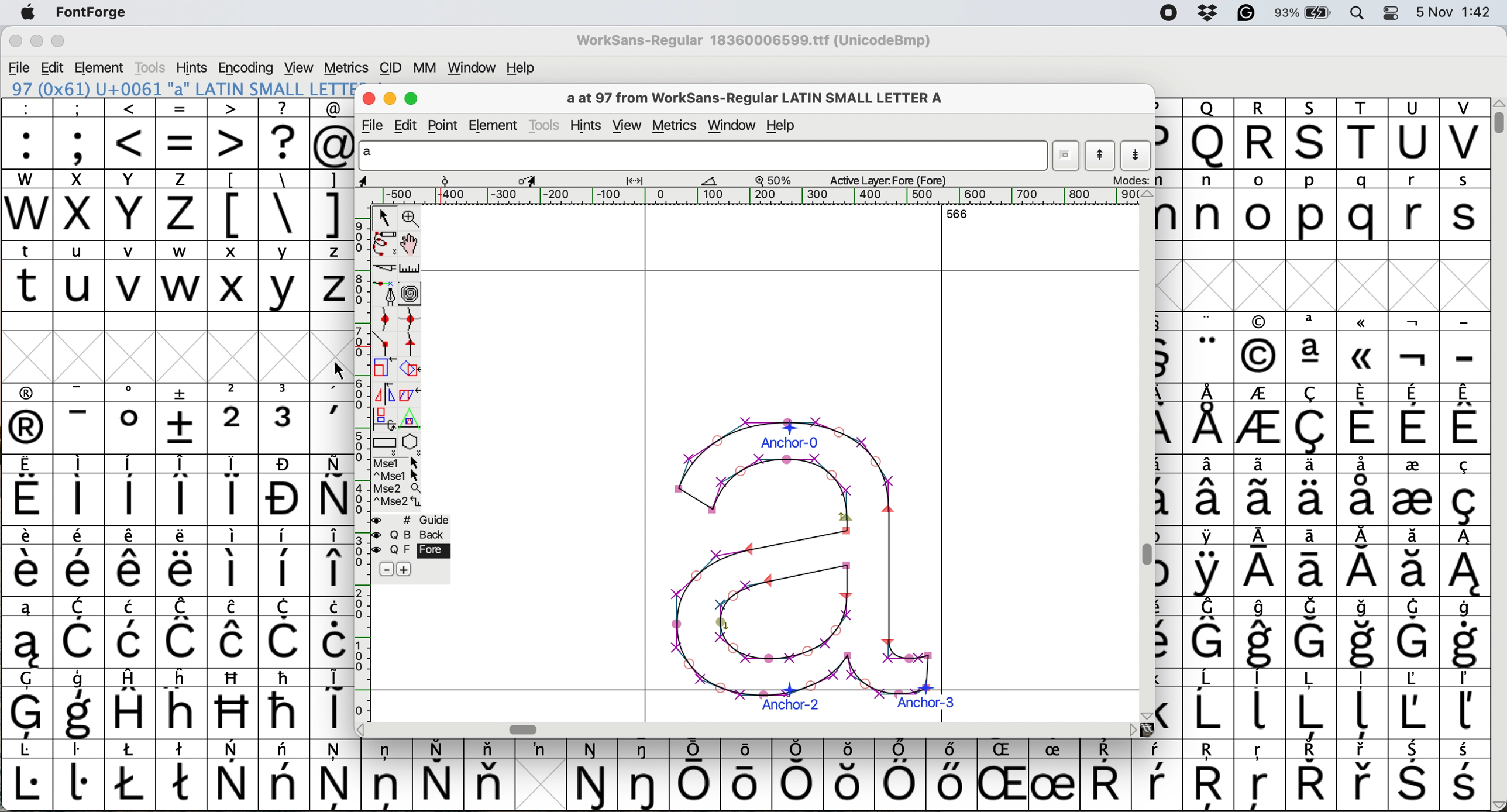 The height and width of the screenshot is (812, 1507). I want to click on modes, so click(1130, 180).